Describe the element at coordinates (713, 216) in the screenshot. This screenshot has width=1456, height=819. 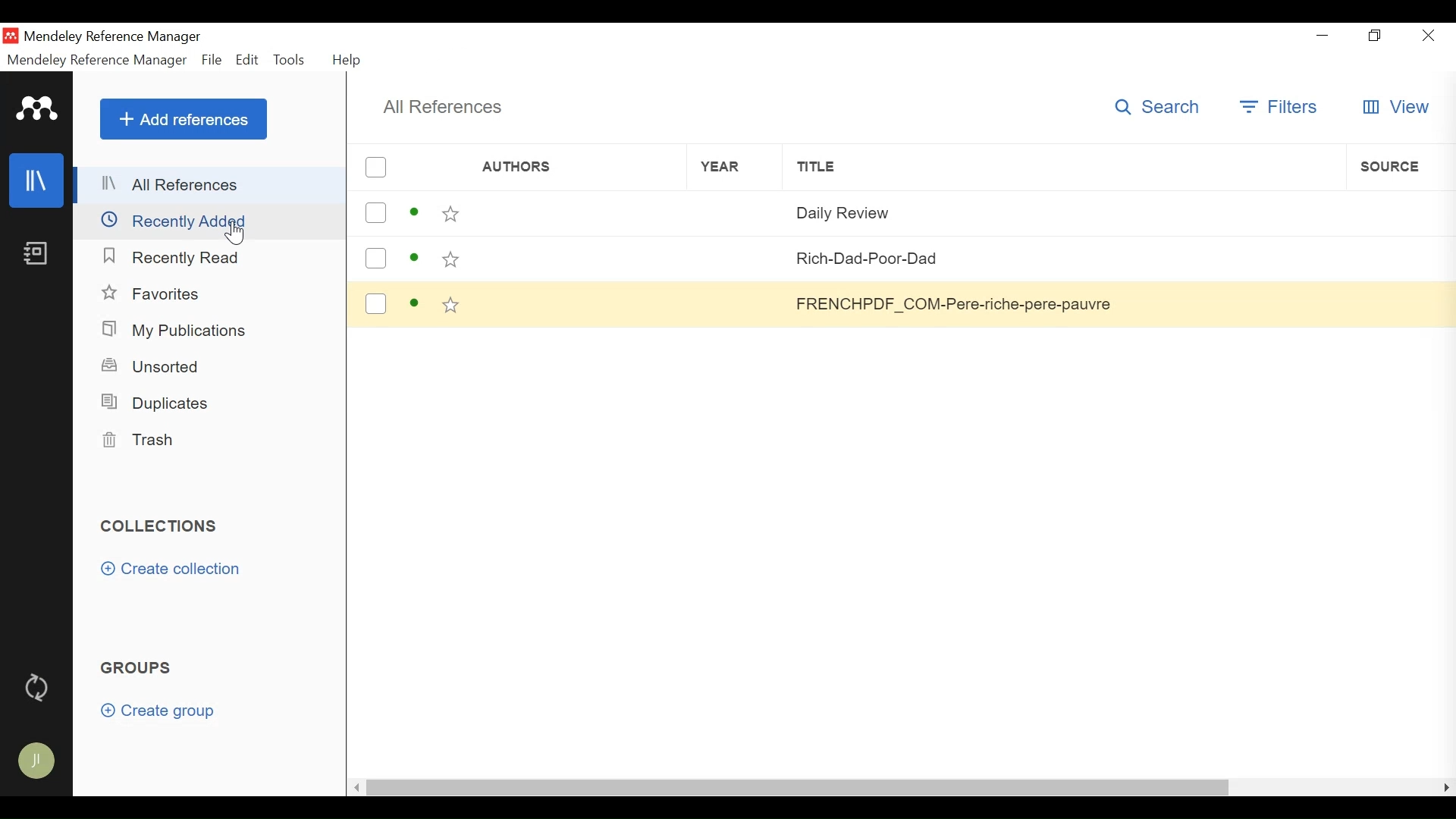
I see `Year` at that location.